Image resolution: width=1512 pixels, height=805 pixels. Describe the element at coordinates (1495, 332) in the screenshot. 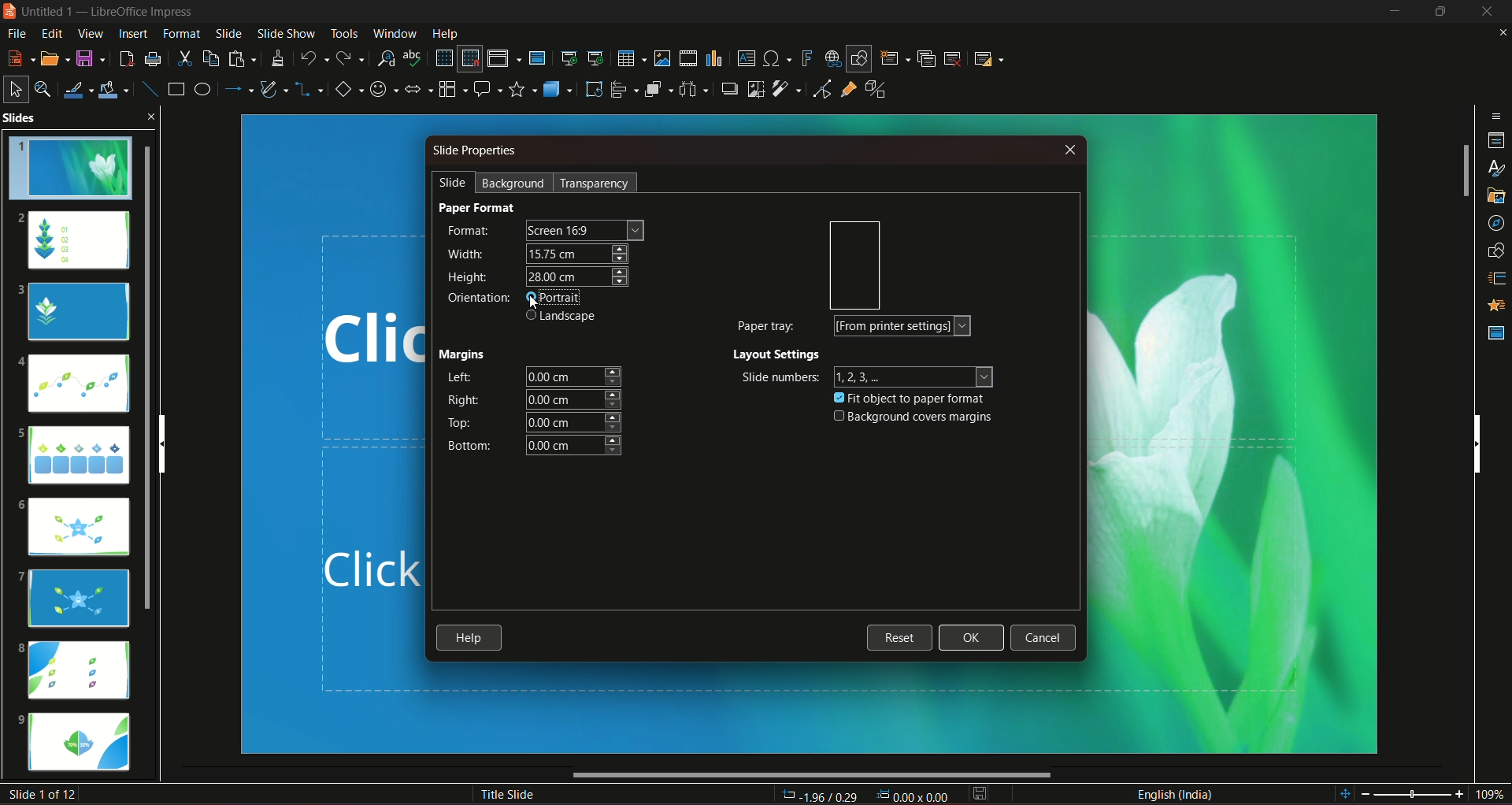

I see `master slides ` at that location.